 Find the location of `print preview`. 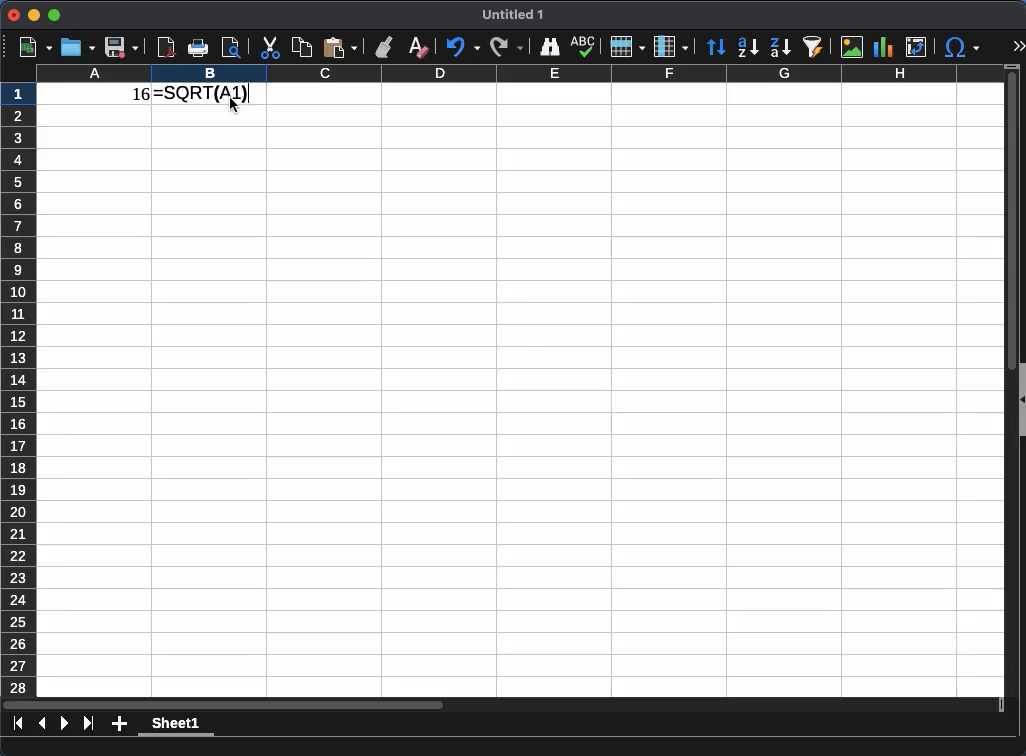

print preview is located at coordinates (232, 50).